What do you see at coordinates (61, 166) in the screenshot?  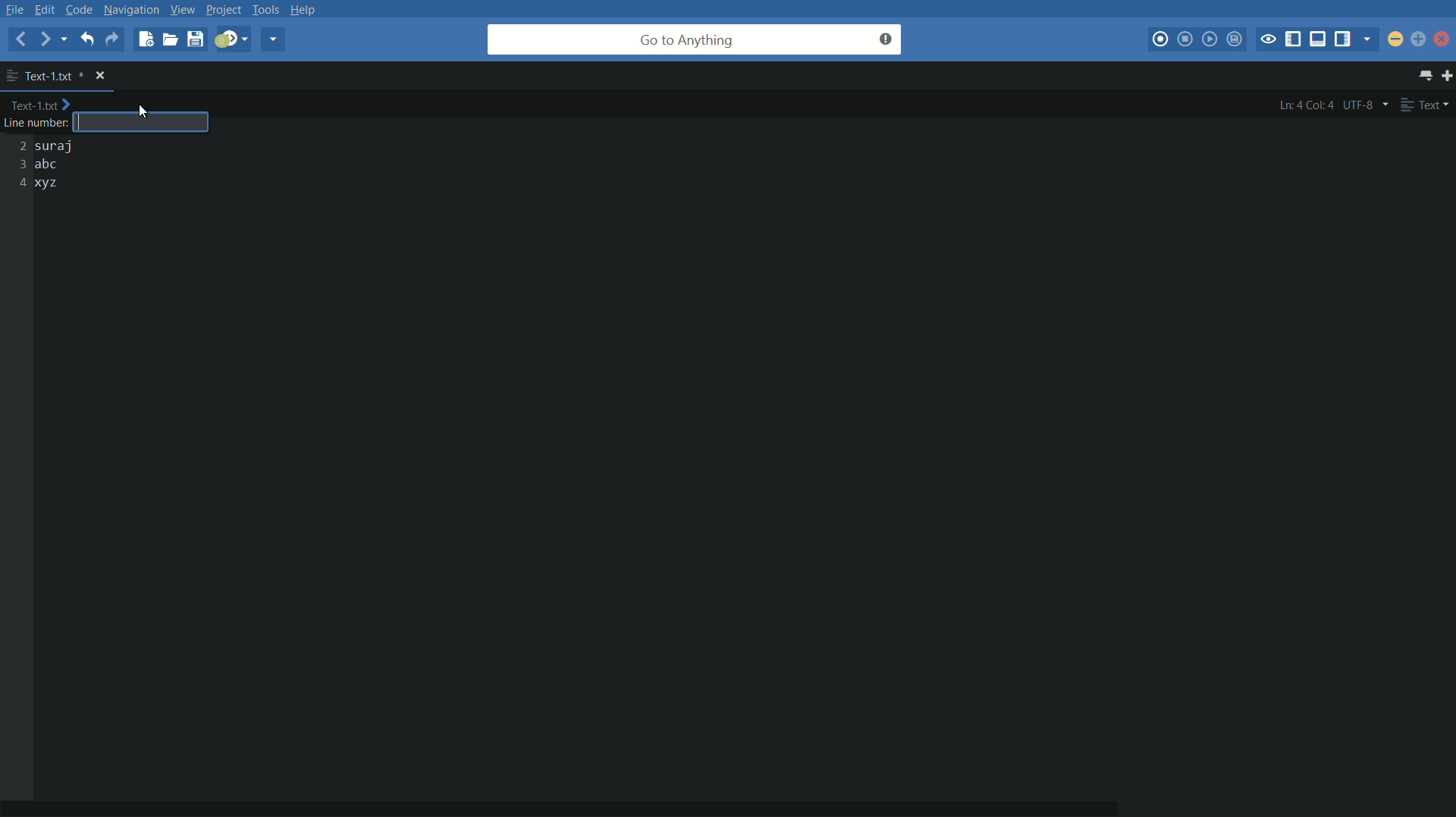 I see `suraj abc xyz` at bounding box center [61, 166].